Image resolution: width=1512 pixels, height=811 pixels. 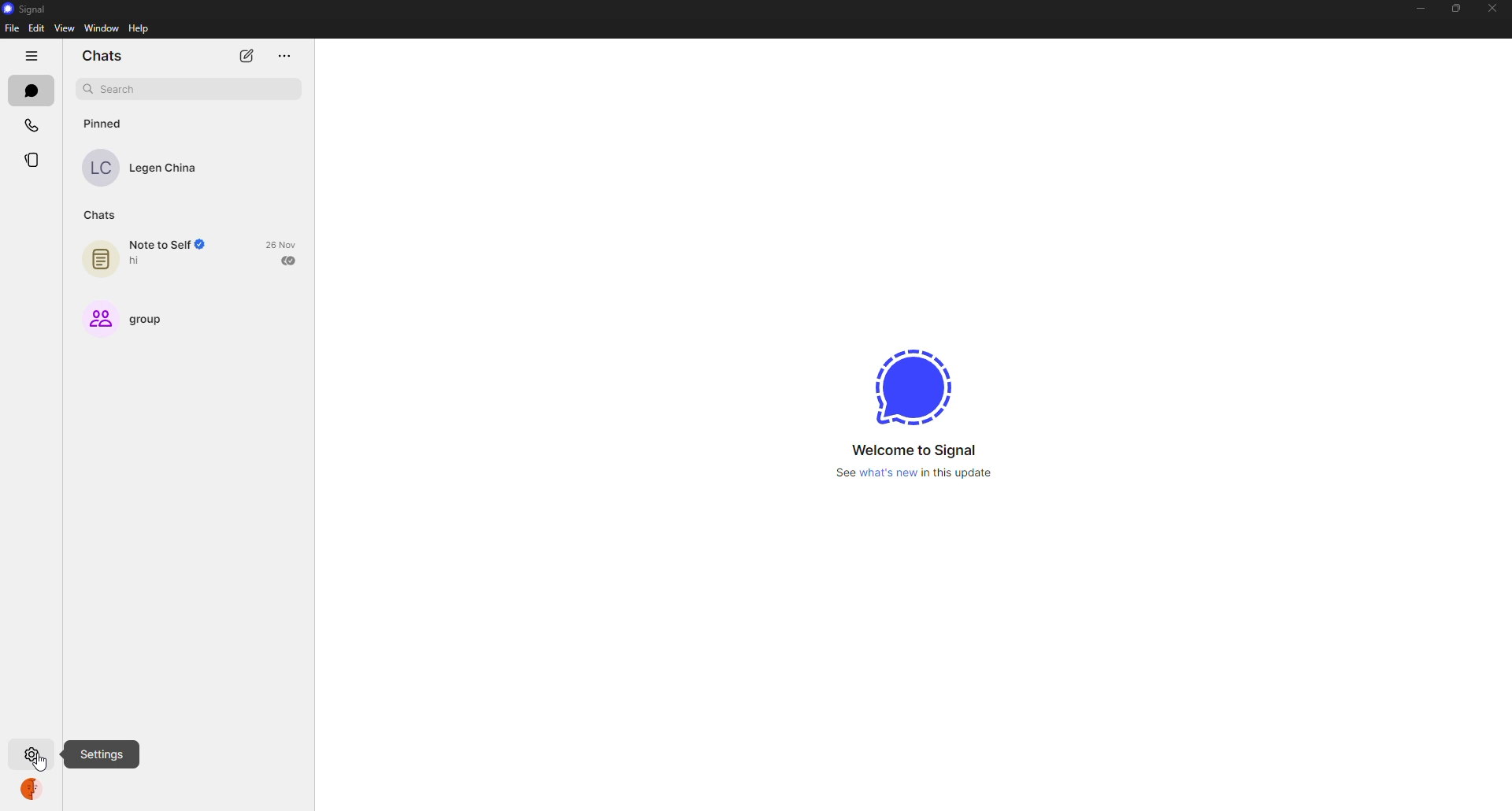 I want to click on settings, so click(x=102, y=753).